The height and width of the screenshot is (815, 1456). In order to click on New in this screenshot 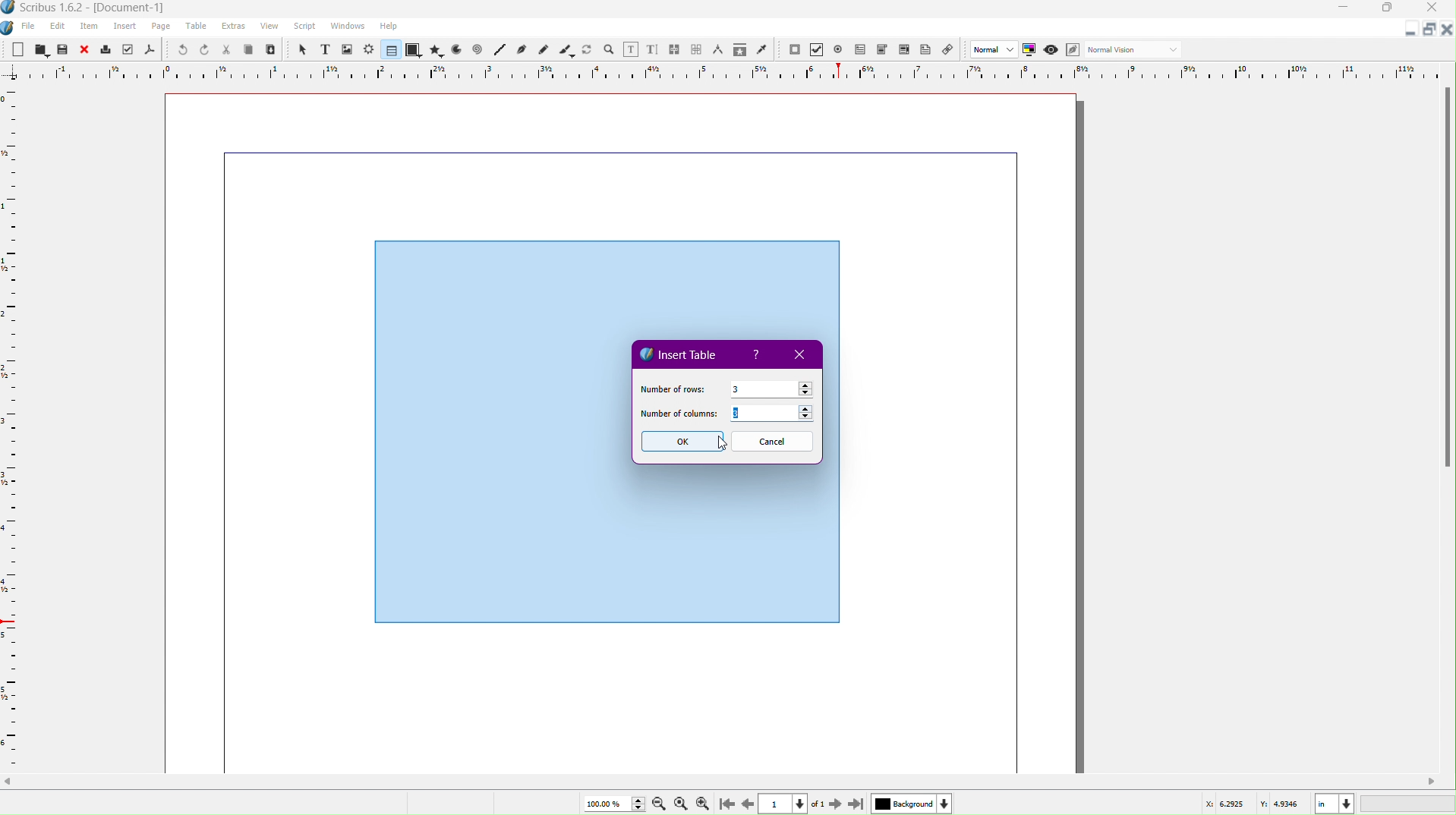, I will do `click(19, 49)`.